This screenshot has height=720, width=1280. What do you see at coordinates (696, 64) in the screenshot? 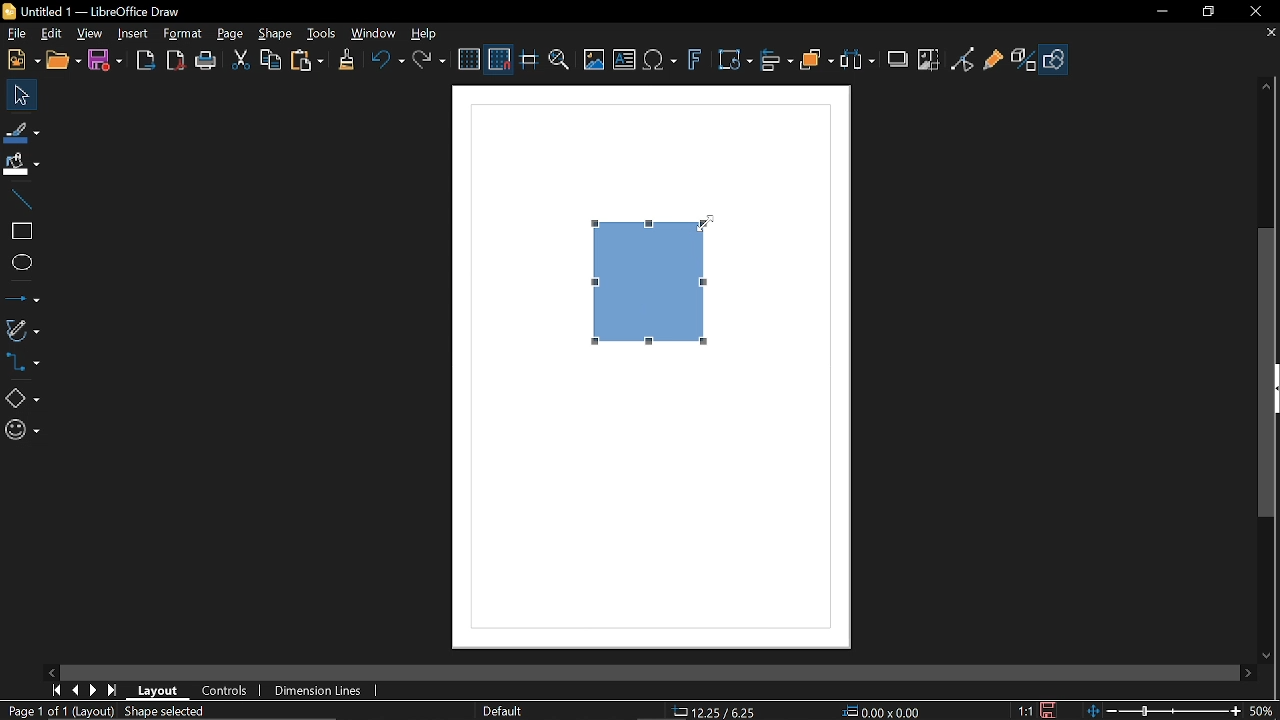
I see `Insert fontwork text` at bounding box center [696, 64].